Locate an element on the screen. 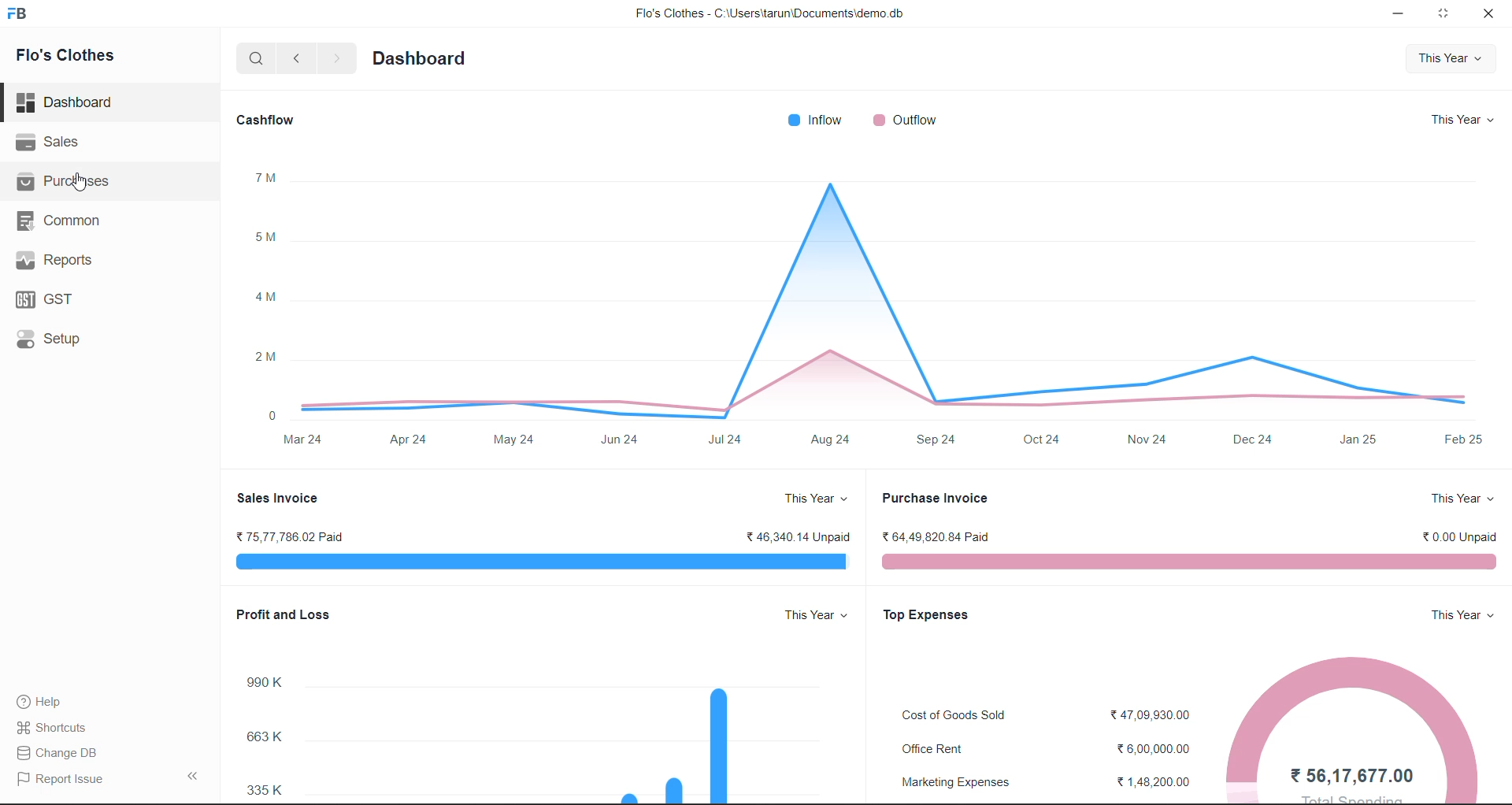 The height and width of the screenshot is (805, 1512). ₹46,340.14 Unpaid is located at coordinates (796, 539).